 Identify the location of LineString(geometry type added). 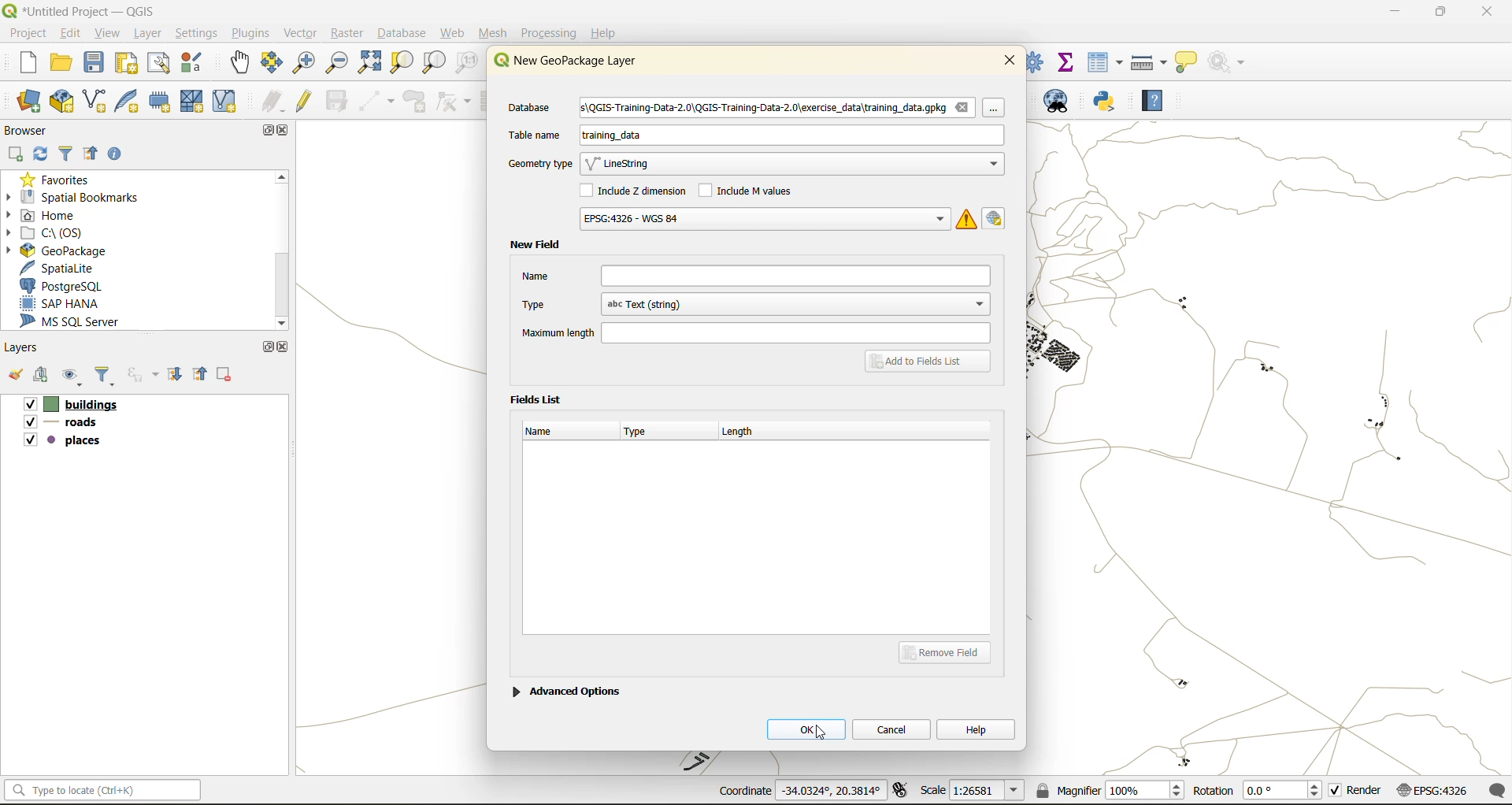
(626, 165).